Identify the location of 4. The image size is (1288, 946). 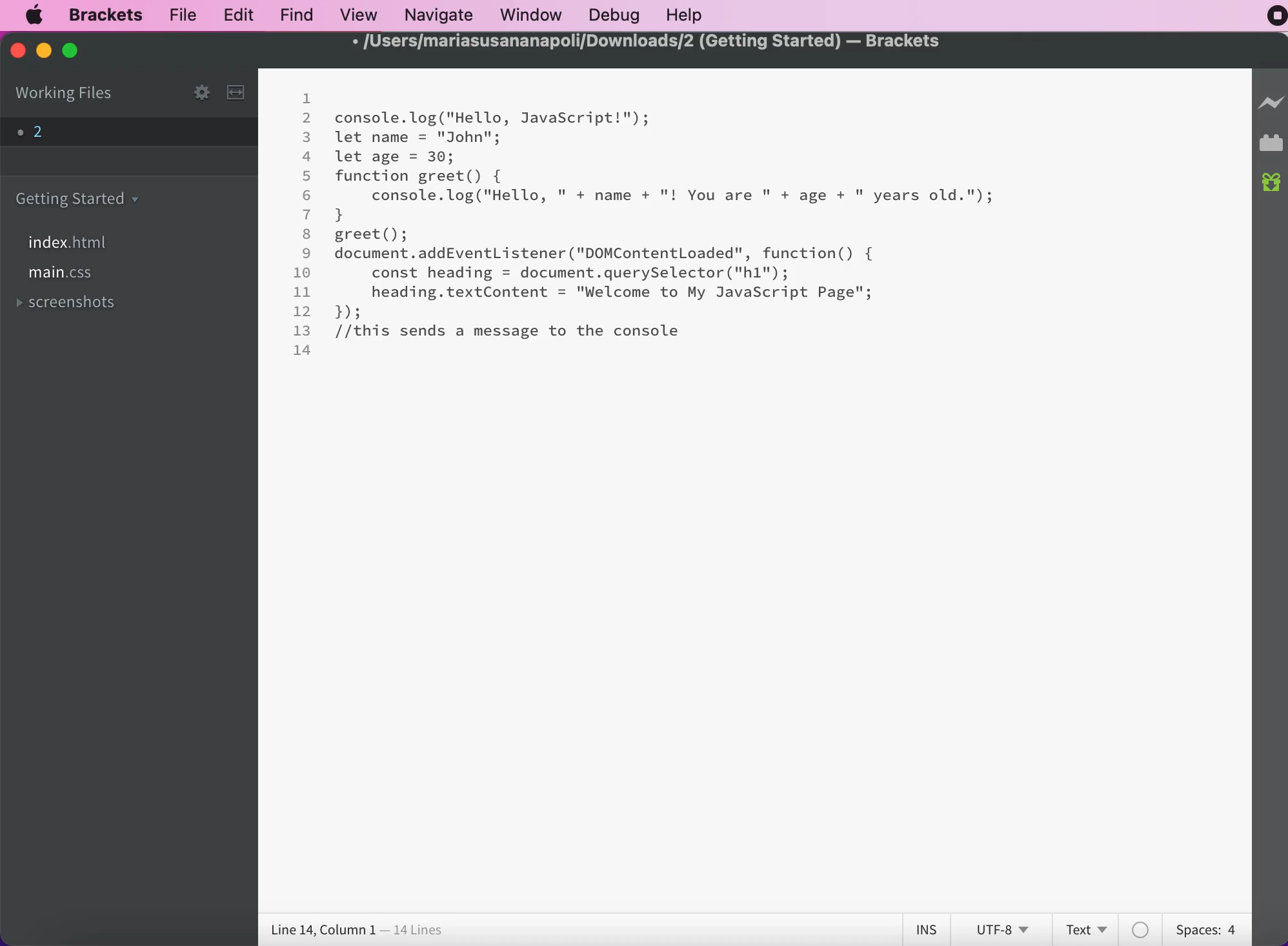
(307, 157).